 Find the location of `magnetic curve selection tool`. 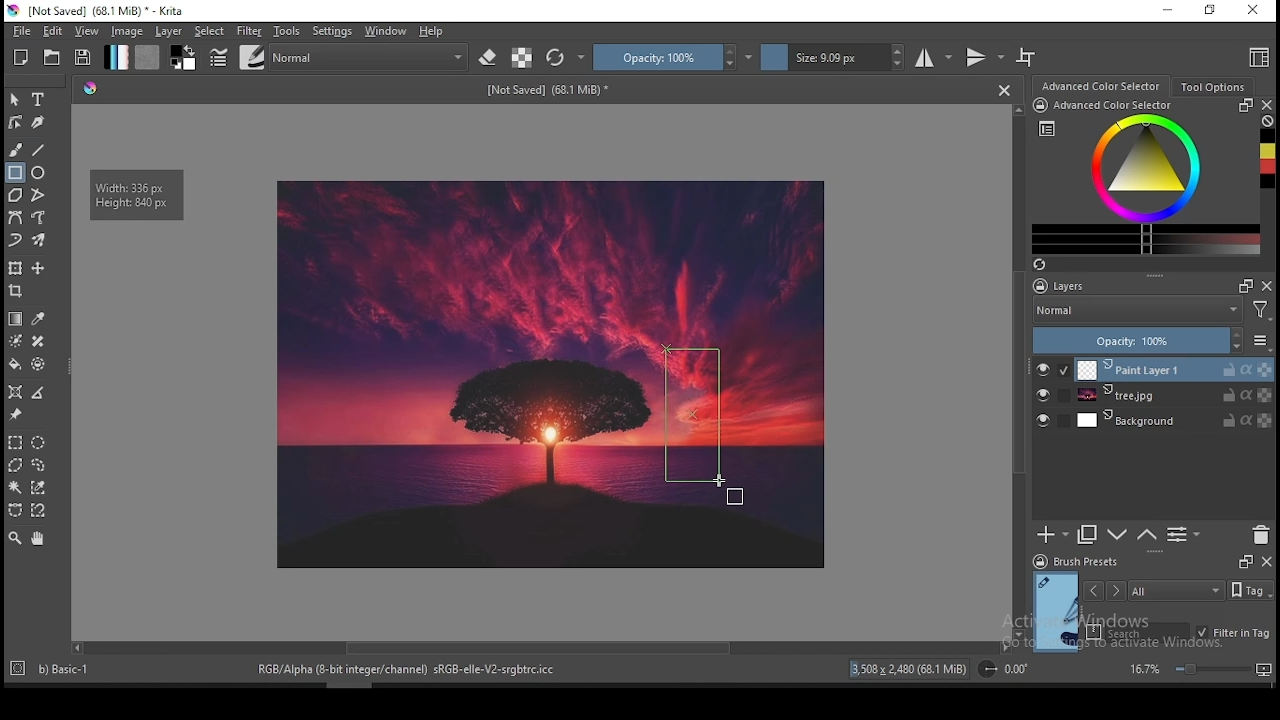

magnetic curve selection tool is located at coordinates (40, 511).